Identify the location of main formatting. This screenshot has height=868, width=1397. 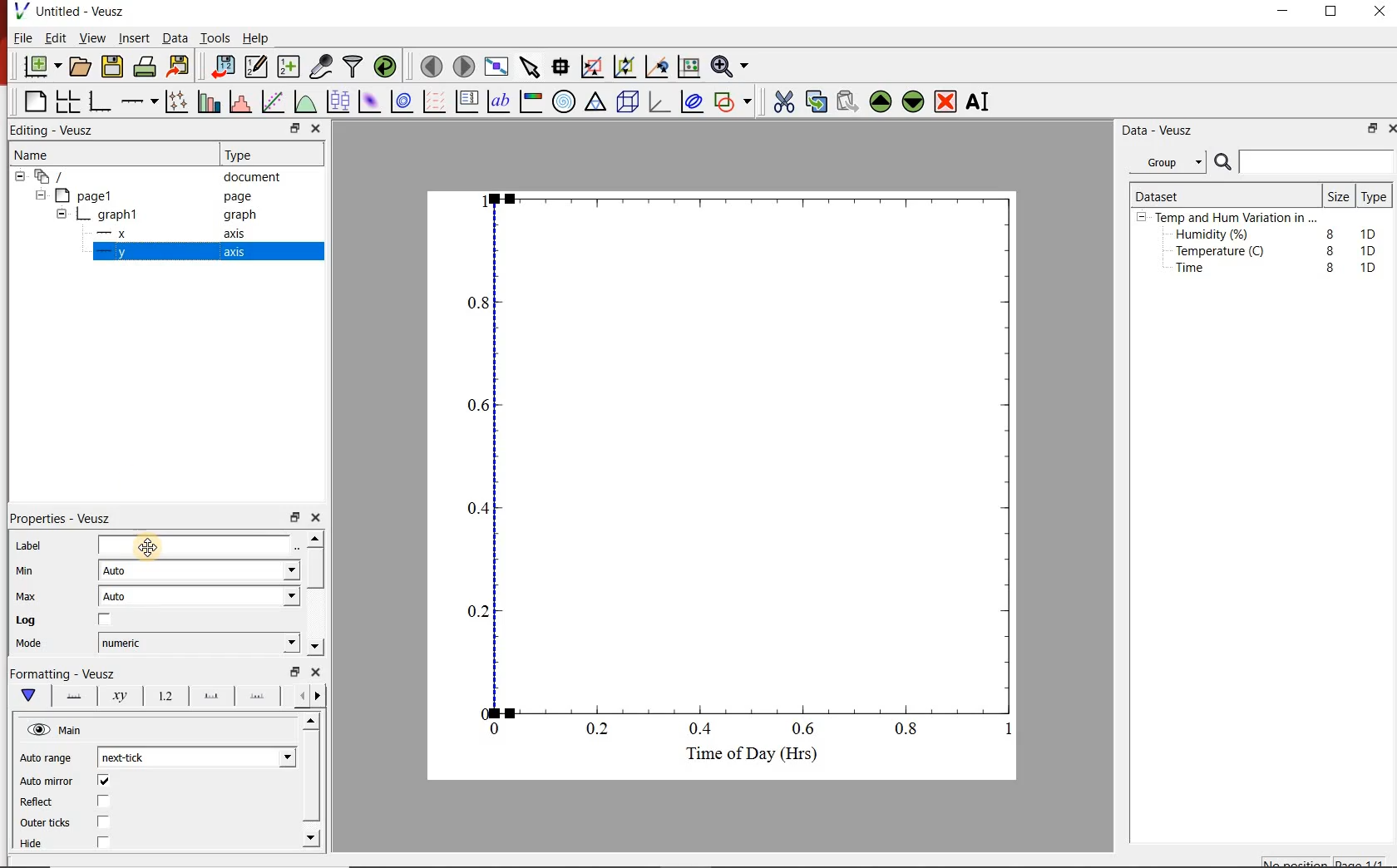
(30, 697).